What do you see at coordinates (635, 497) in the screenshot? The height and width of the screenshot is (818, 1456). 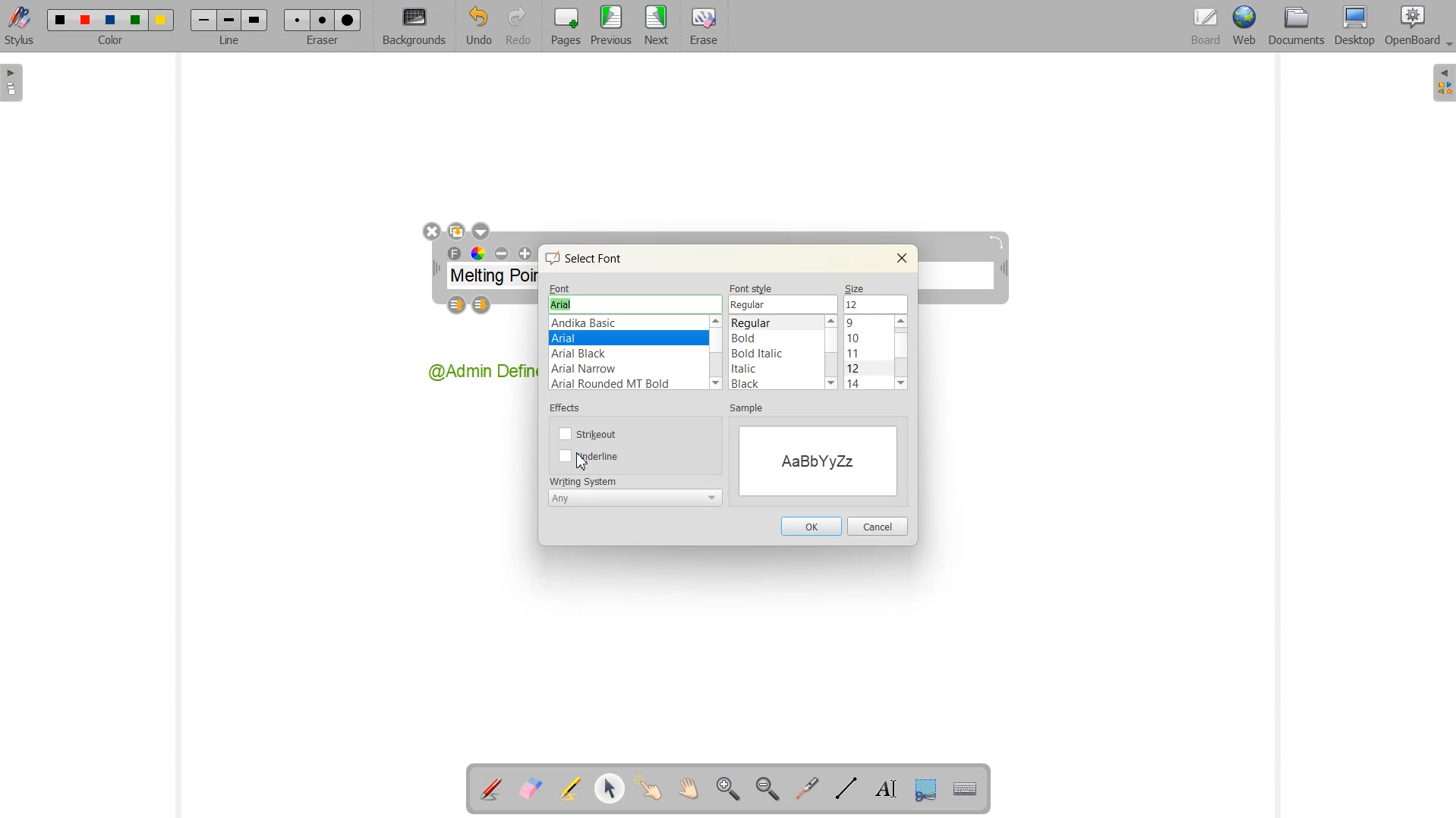 I see `Writing System` at bounding box center [635, 497].